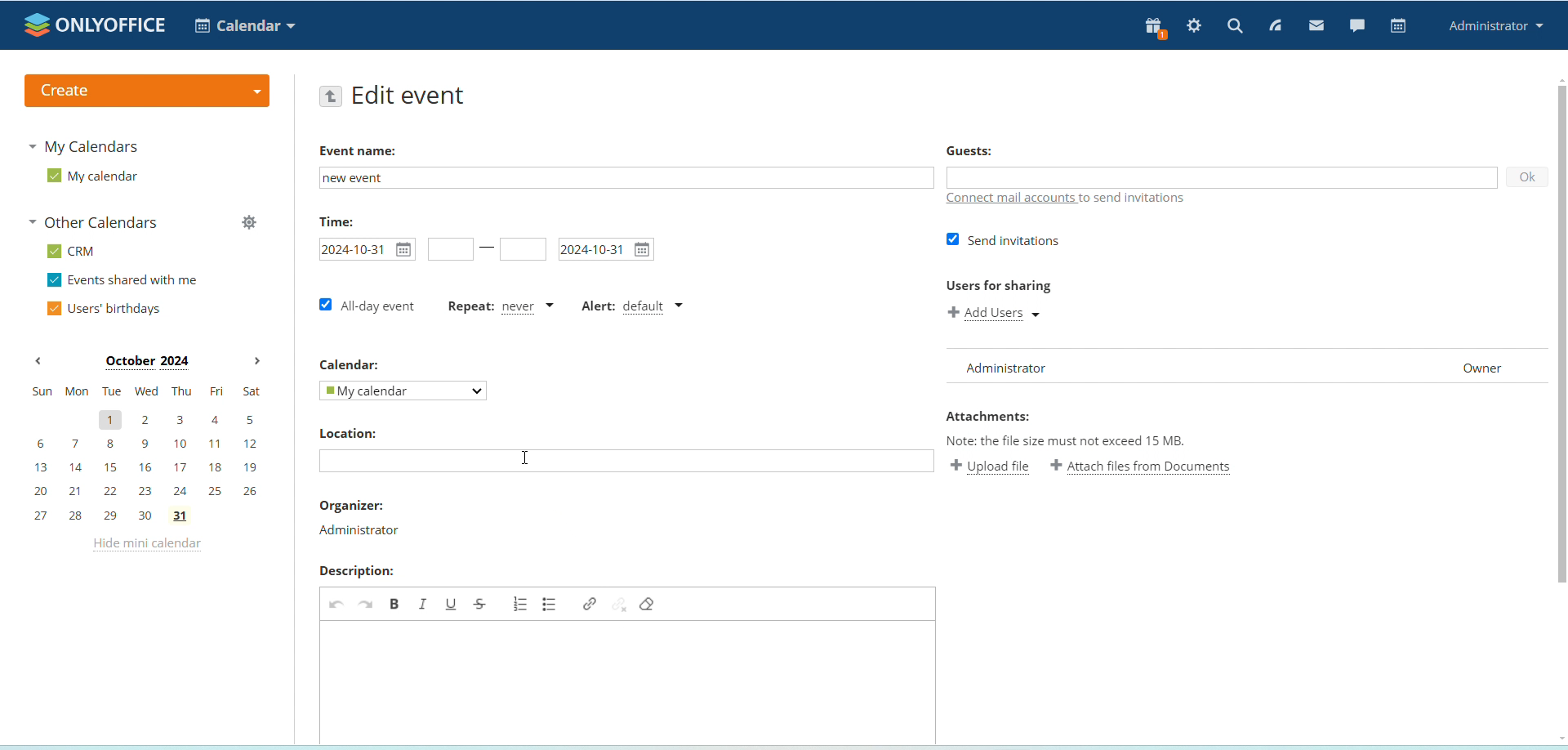 The height and width of the screenshot is (750, 1568). Describe the element at coordinates (1276, 27) in the screenshot. I see `feed` at that location.